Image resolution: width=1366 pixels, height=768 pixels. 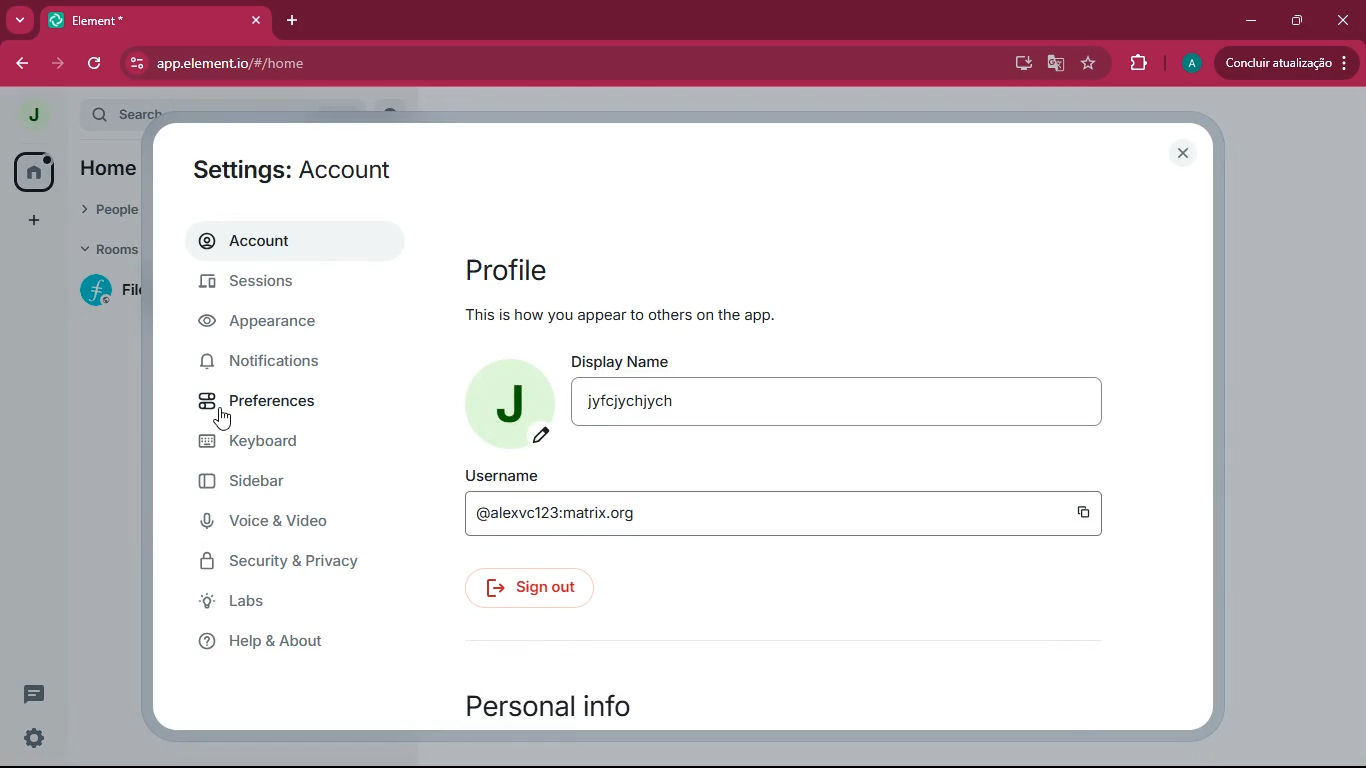 What do you see at coordinates (300, 287) in the screenshot?
I see `sessions` at bounding box center [300, 287].